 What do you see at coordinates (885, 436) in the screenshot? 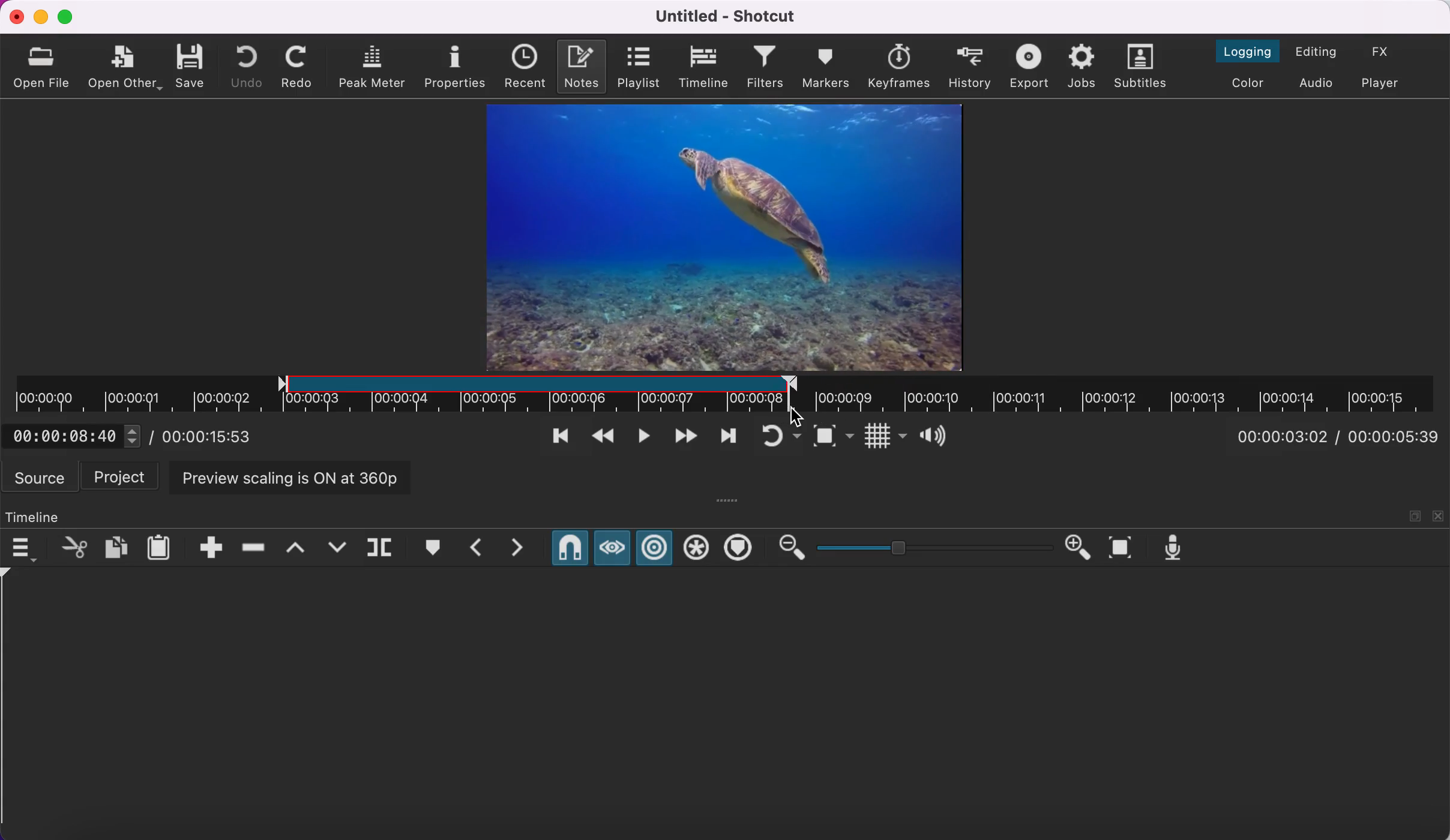
I see `` at bounding box center [885, 436].